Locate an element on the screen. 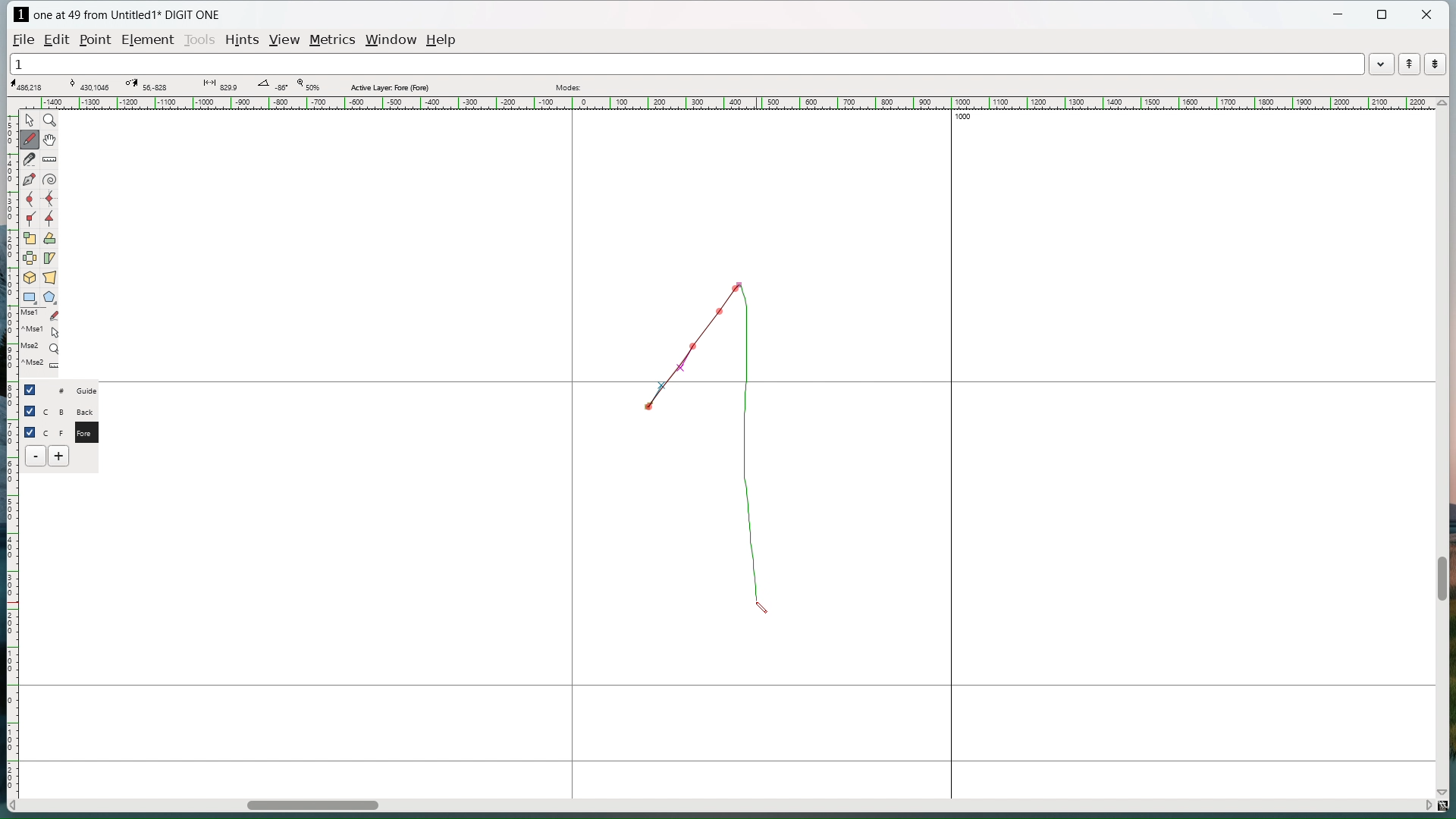 This screenshot has height=819, width=1456. flip the selection is located at coordinates (30, 258).